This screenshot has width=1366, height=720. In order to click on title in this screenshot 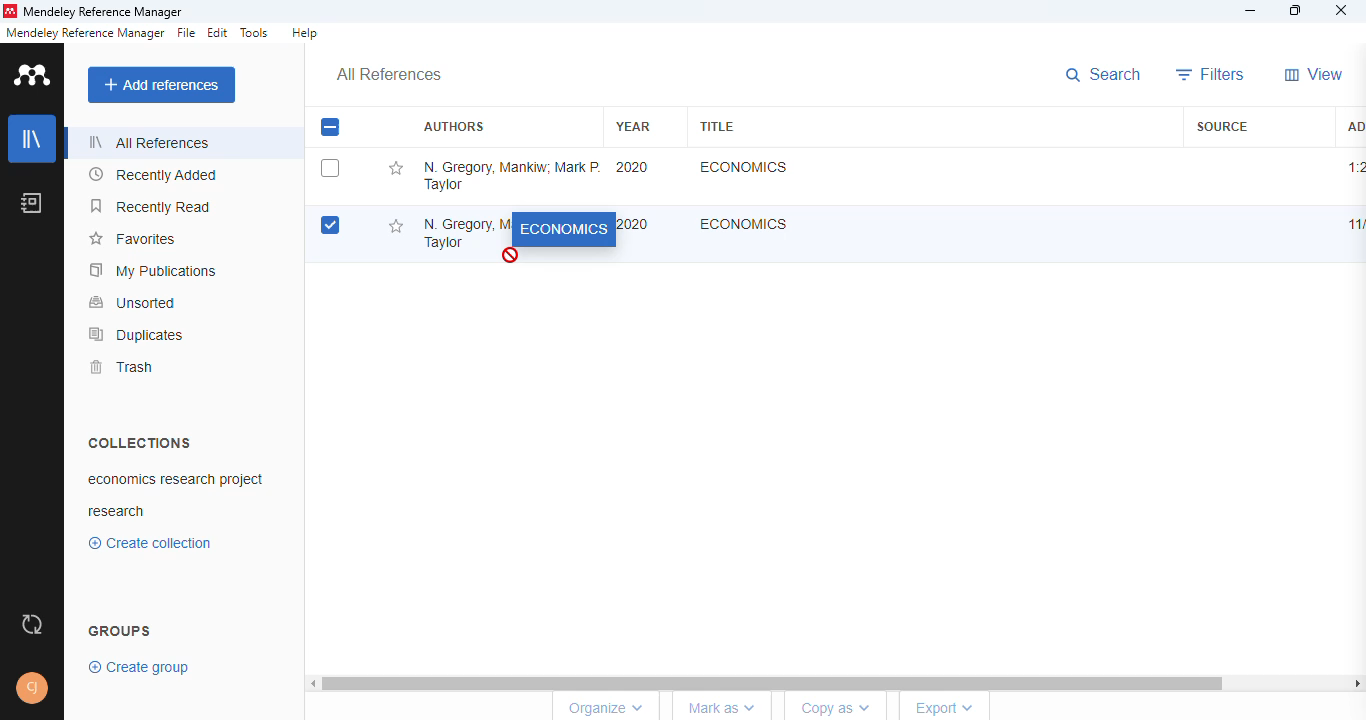, I will do `click(716, 126)`.